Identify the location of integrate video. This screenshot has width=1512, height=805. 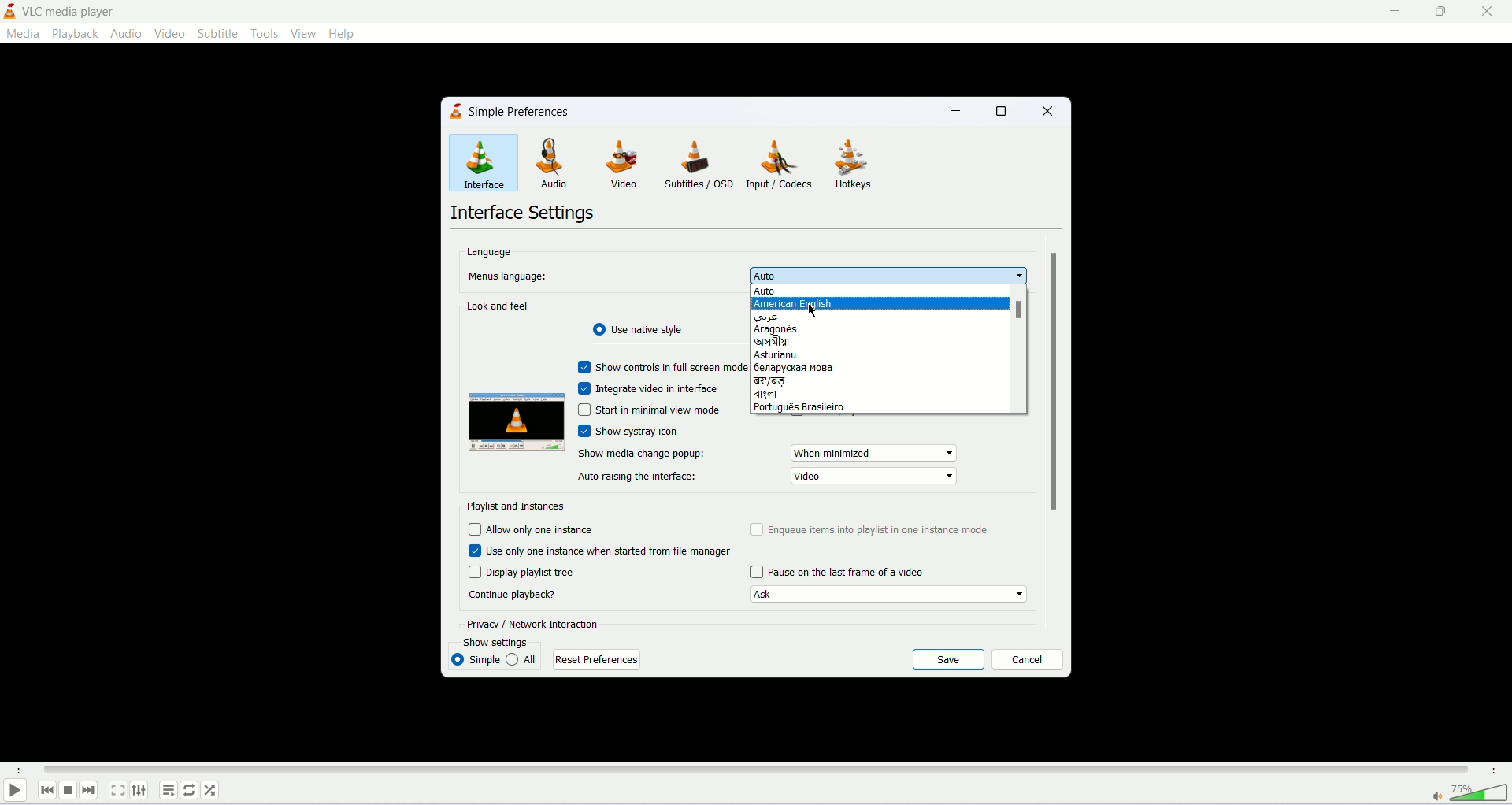
(651, 388).